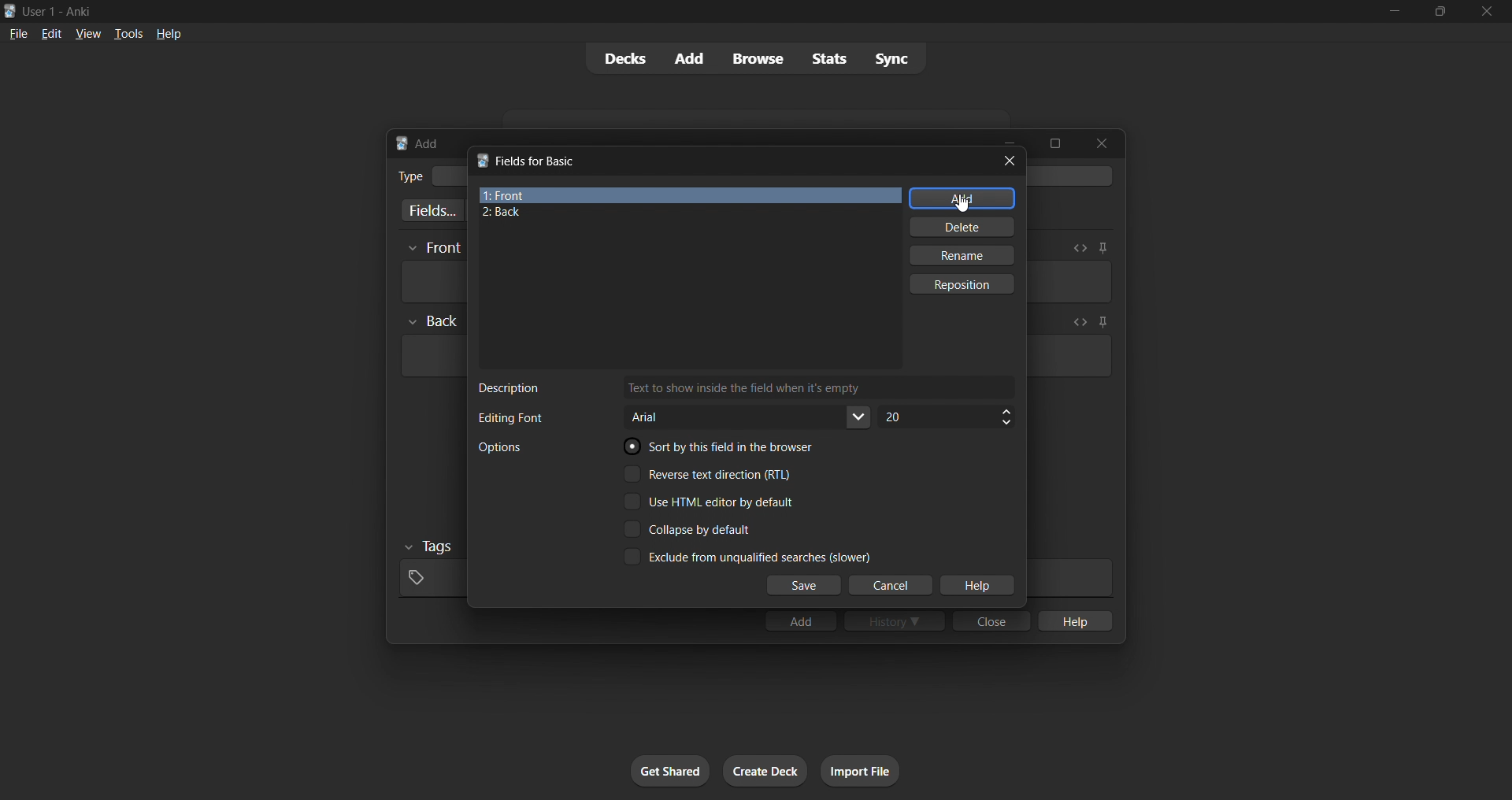 The width and height of the screenshot is (1512, 800). I want to click on sync, so click(891, 57).